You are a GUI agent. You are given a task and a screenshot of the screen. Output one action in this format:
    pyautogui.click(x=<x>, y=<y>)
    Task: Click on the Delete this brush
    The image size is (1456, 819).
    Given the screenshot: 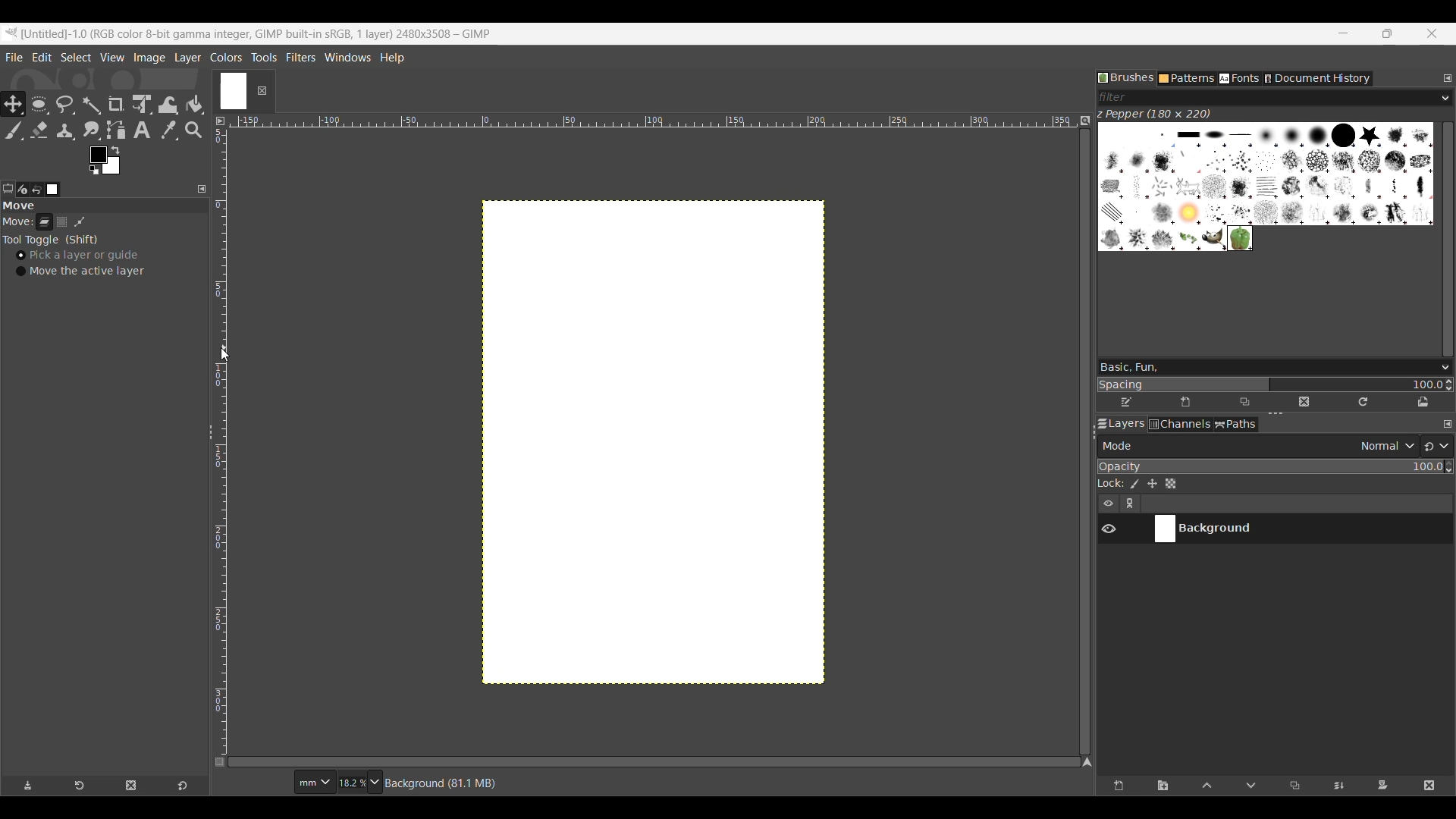 What is the action you would take?
    pyautogui.click(x=1304, y=403)
    